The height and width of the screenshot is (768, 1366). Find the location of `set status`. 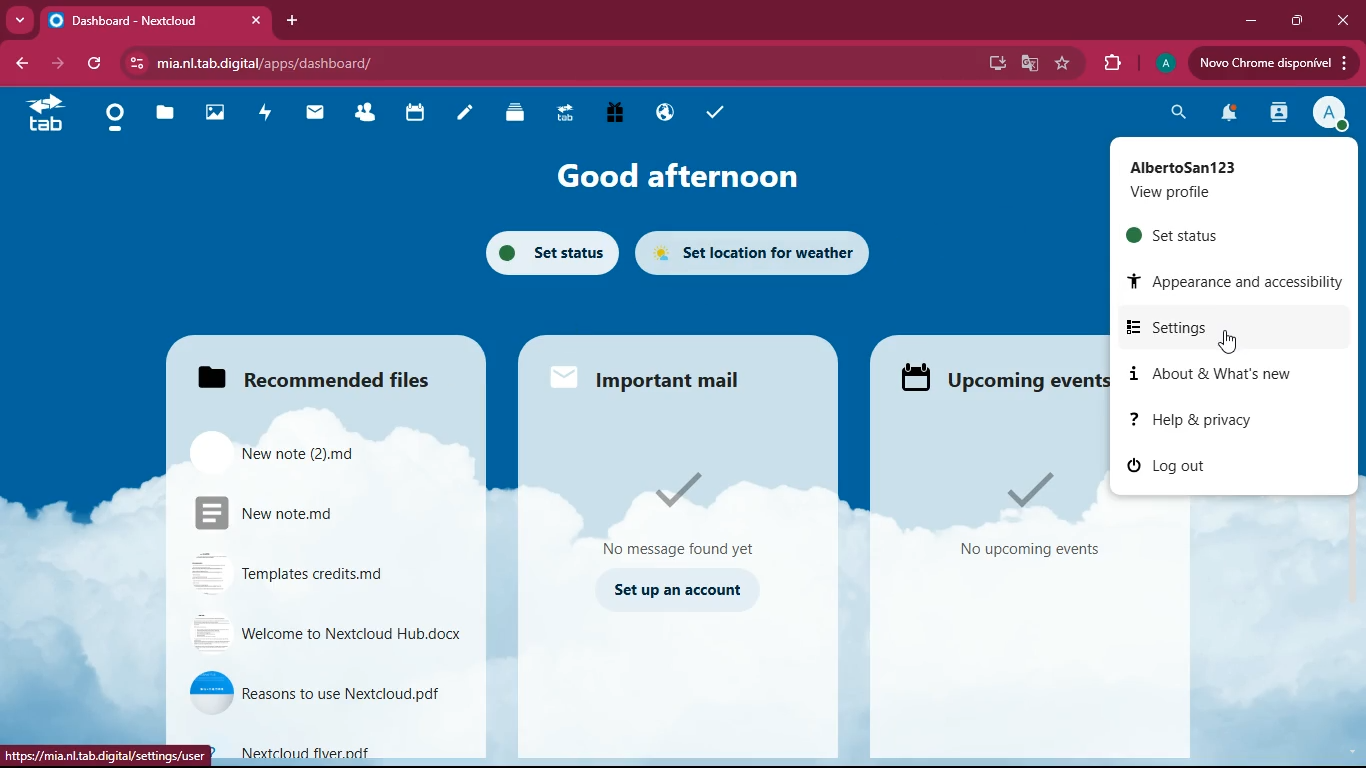

set status is located at coordinates (1232, 234).